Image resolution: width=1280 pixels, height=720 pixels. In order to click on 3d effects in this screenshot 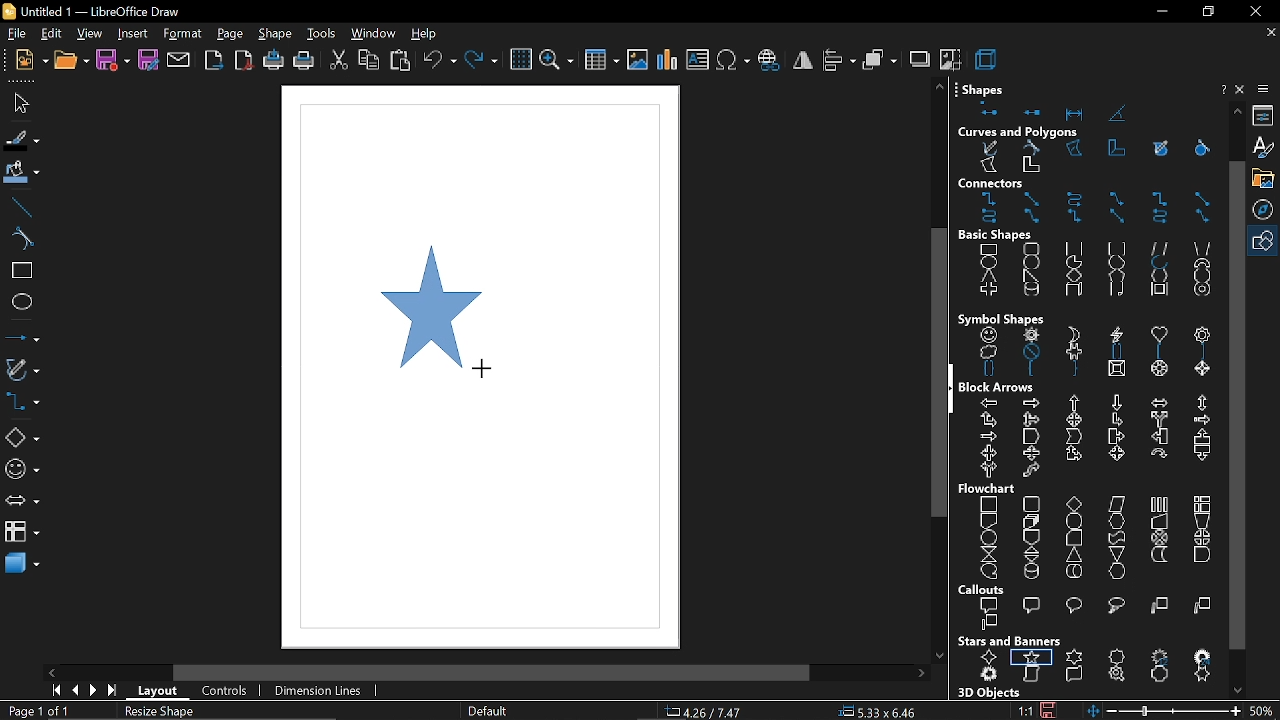, I will do `click(989, 59)`.